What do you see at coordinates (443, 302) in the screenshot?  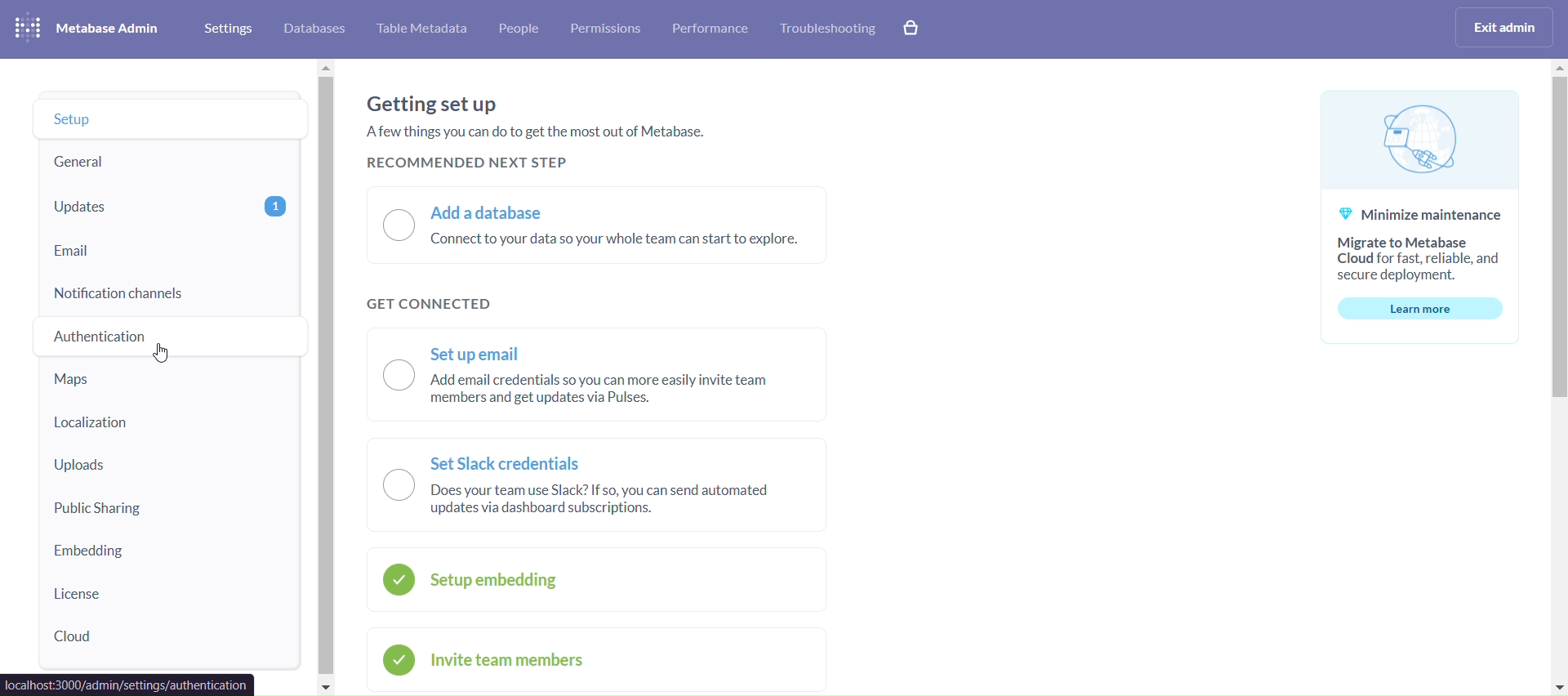 I see `get connected` at bounding box center [443, 302].